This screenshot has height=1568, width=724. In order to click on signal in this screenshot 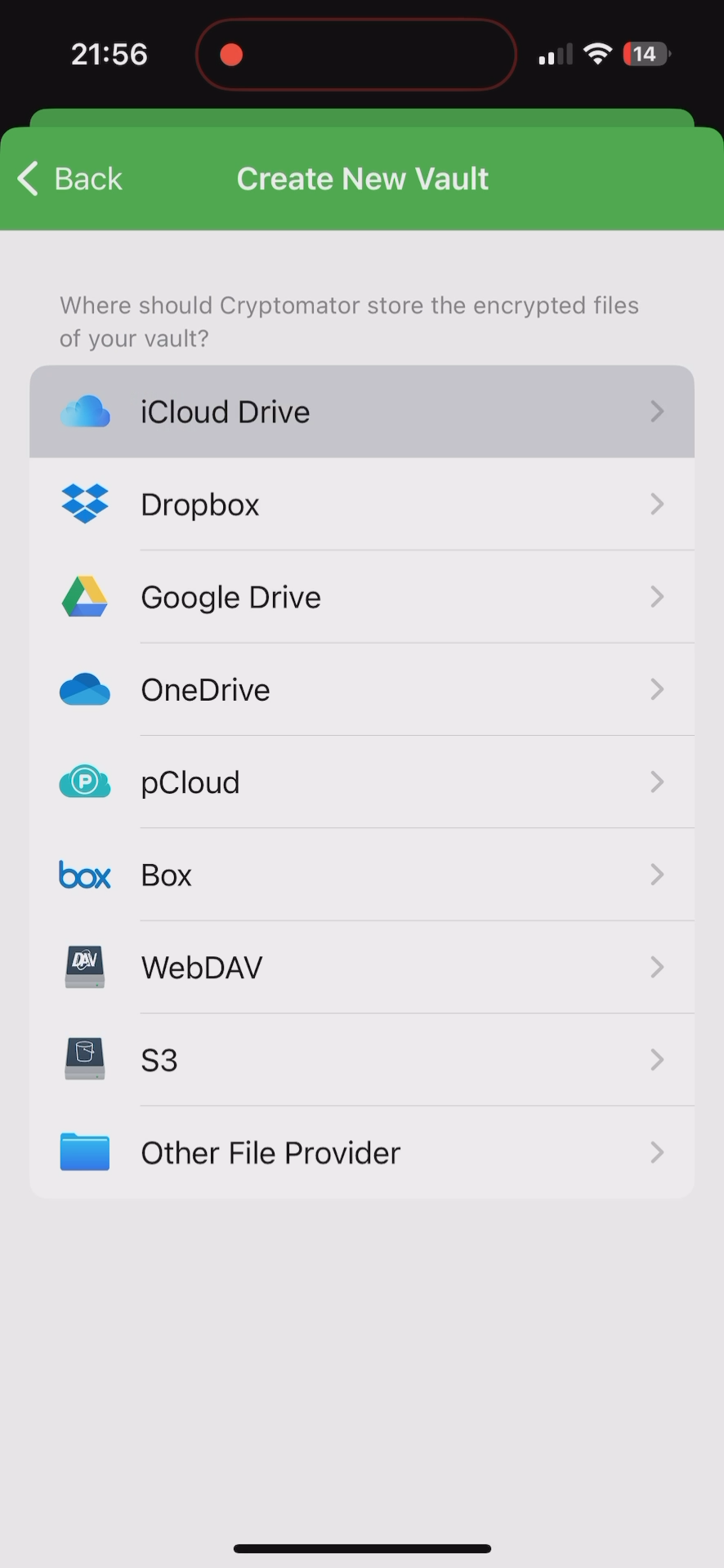, I will do `click(553, 55)`.